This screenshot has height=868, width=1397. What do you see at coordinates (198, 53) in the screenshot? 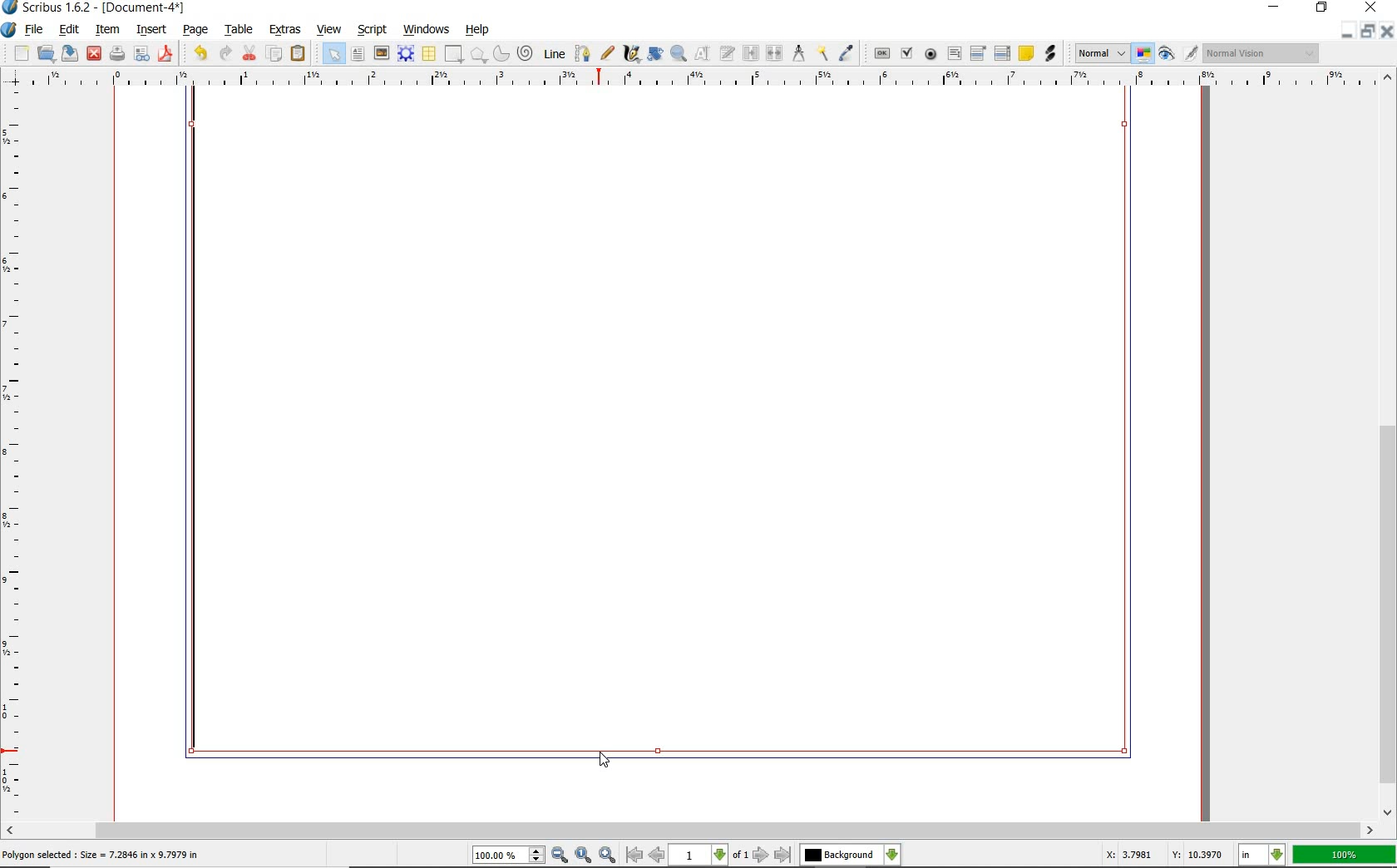
I see `undo` at bounding box center [198, 53].